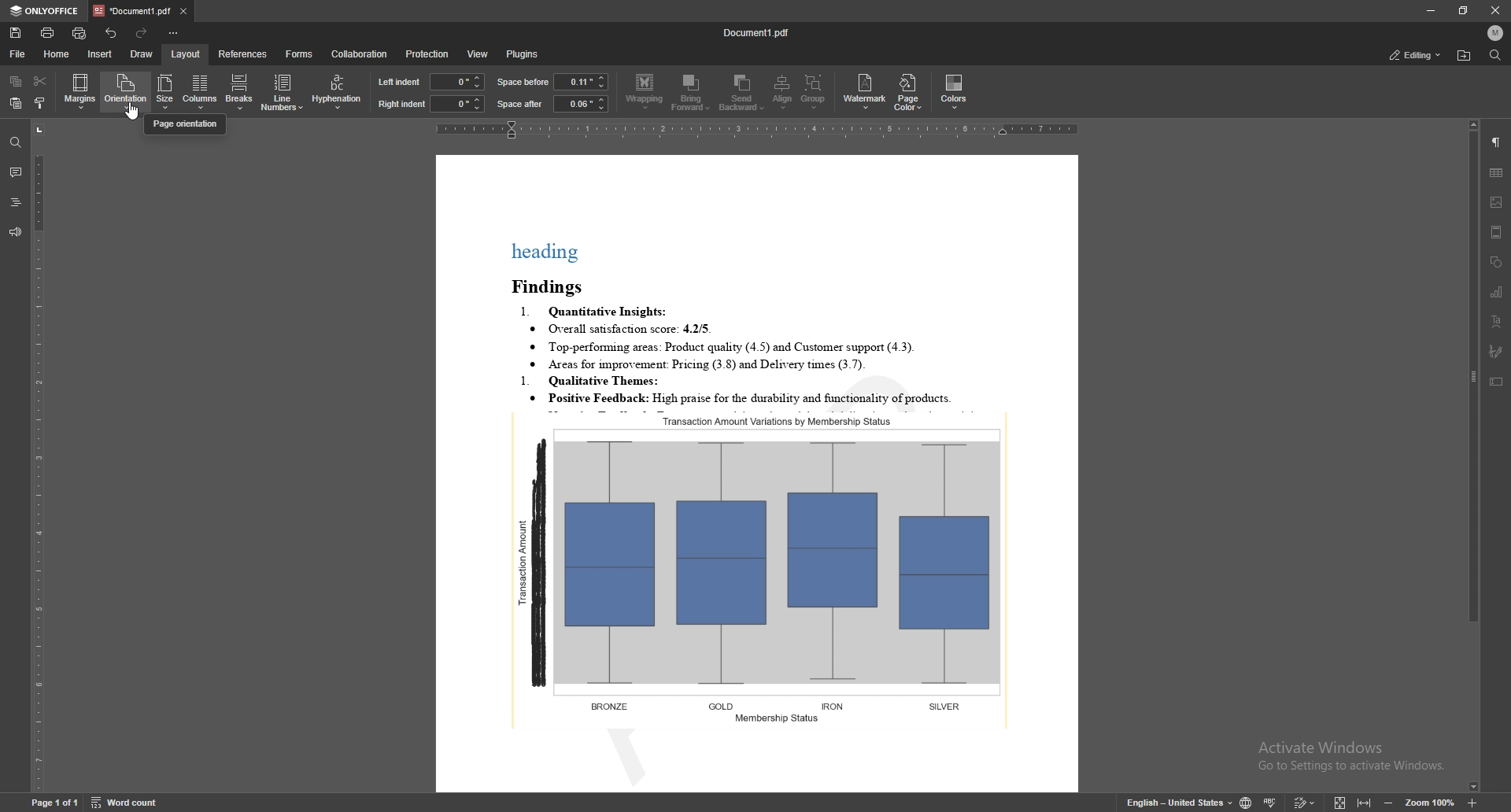 Image resolution: width=1511 pixels, height=812 pixels. Describe the element at coordinates (758, 474) in the screenshot. I see `doc` at that location.